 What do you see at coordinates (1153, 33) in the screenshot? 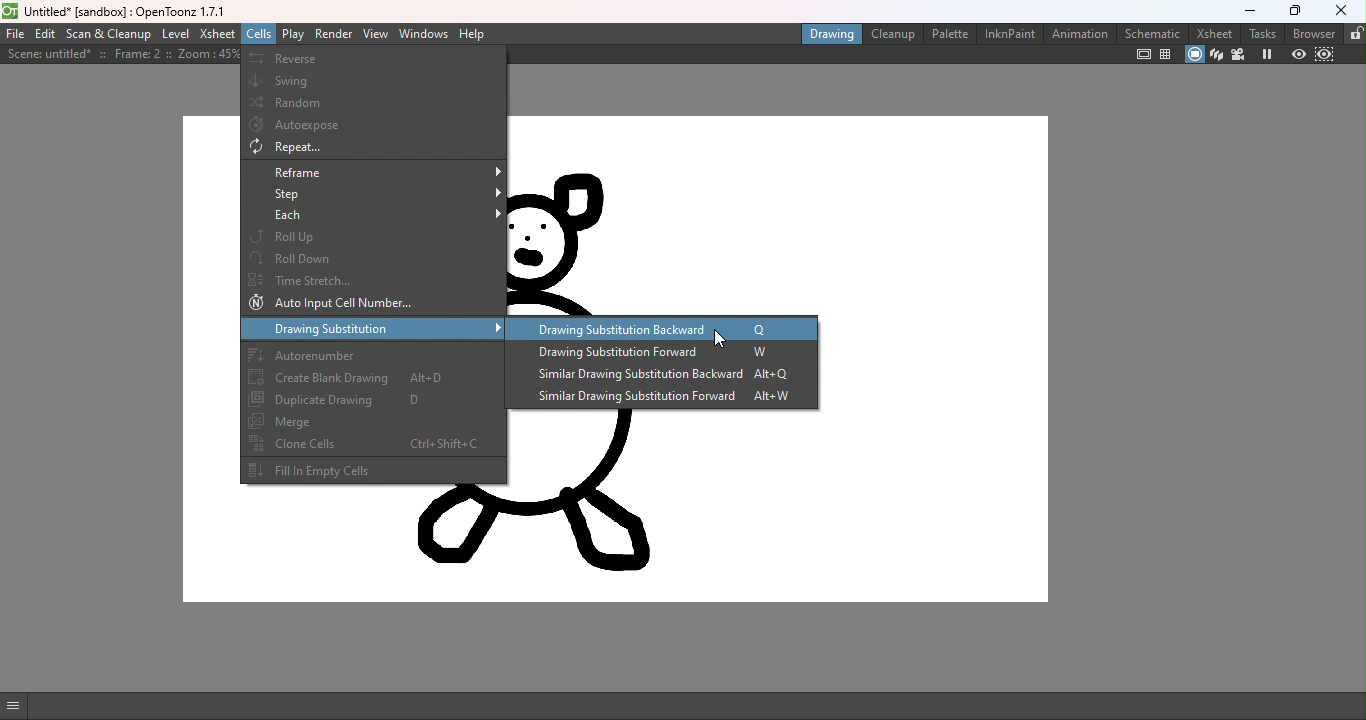
I see `Schematic` at bounding box center [1153, 33].